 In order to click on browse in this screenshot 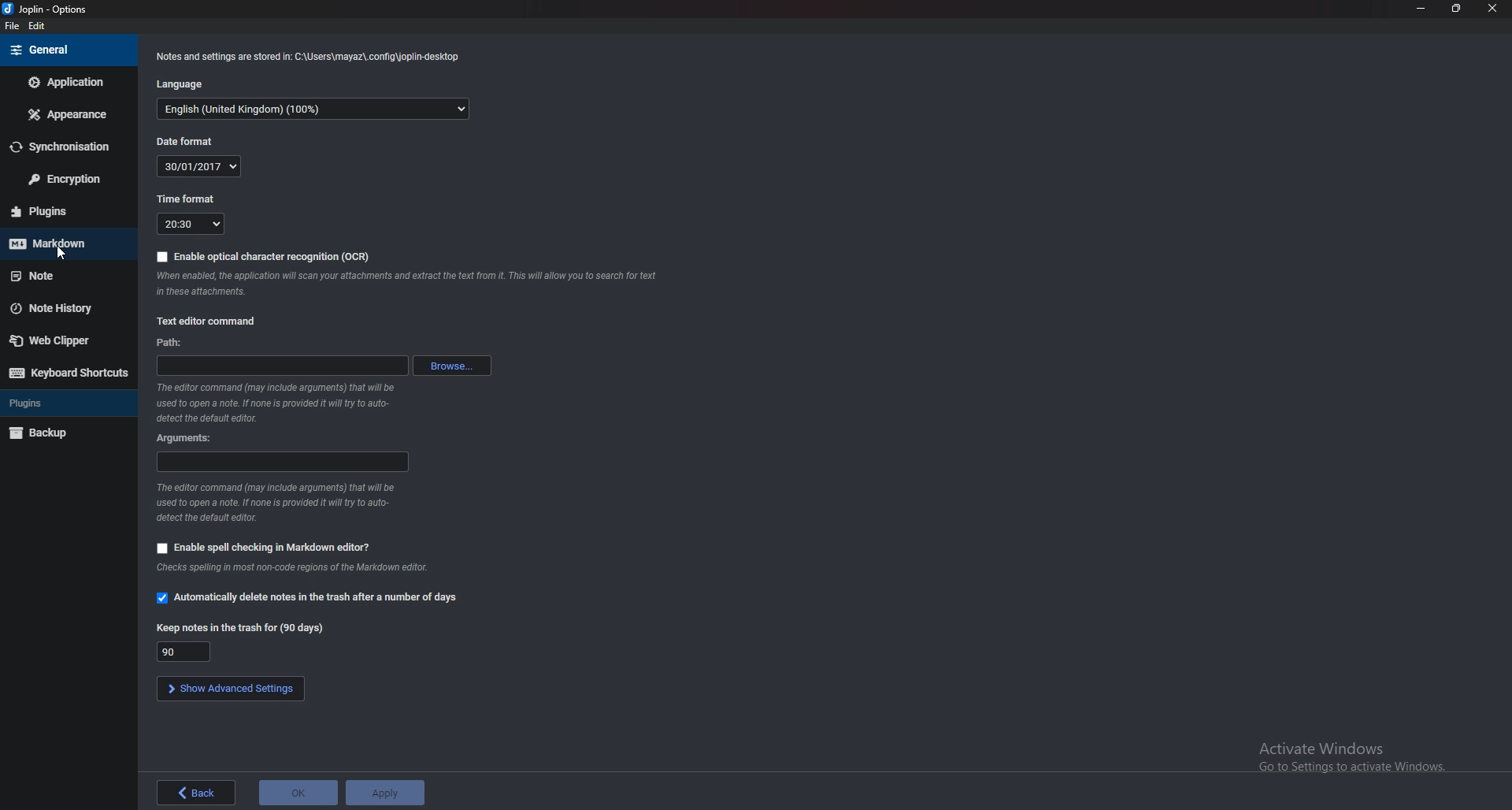, I will do `click(454, 366)`.